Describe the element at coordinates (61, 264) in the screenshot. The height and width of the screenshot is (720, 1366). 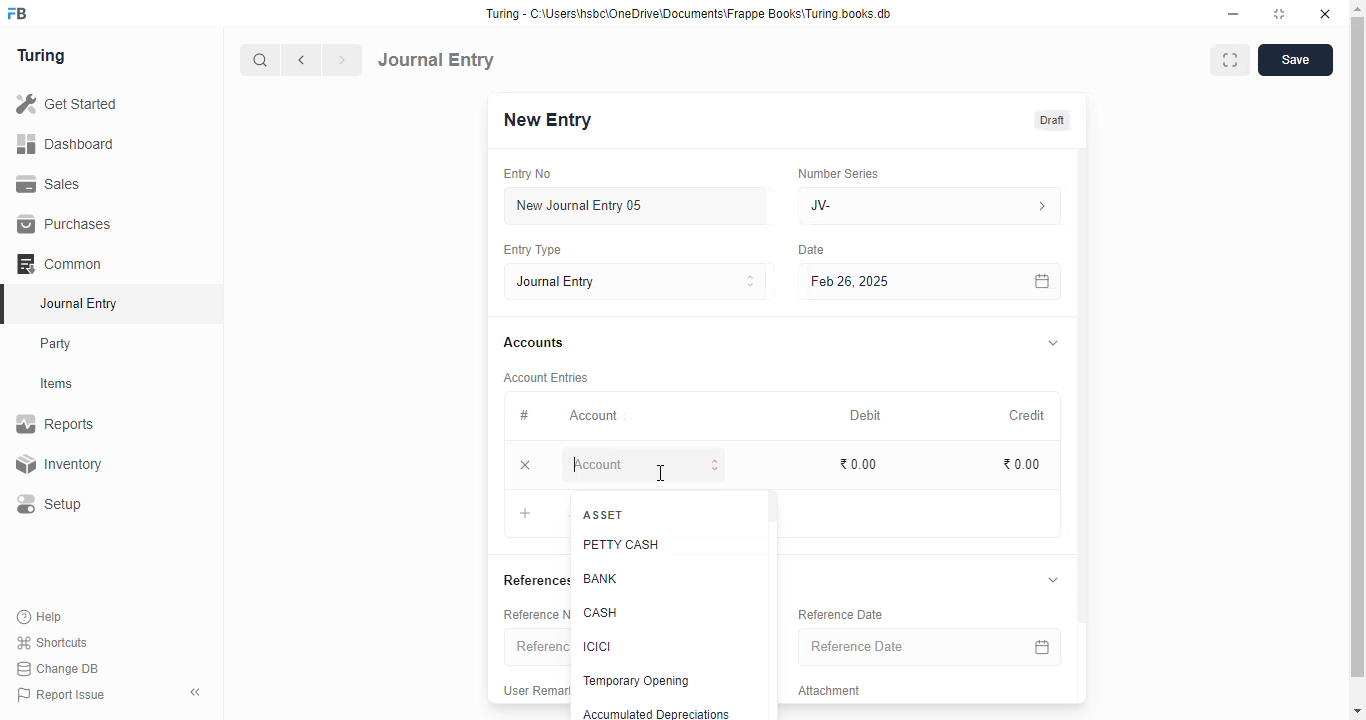
I see `common` at that location.